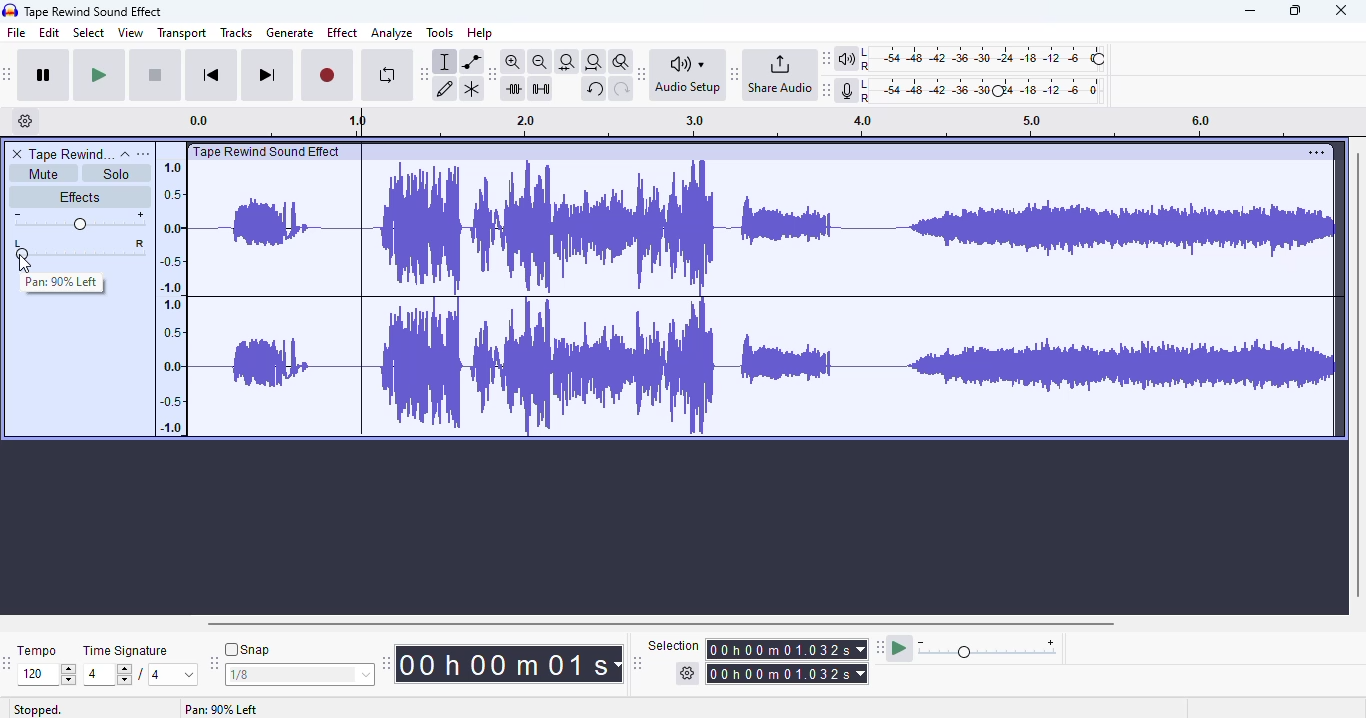 Image resolution: width=1366 pixels, height=718 pixels. I want to click on tracks, so click(236, 32).